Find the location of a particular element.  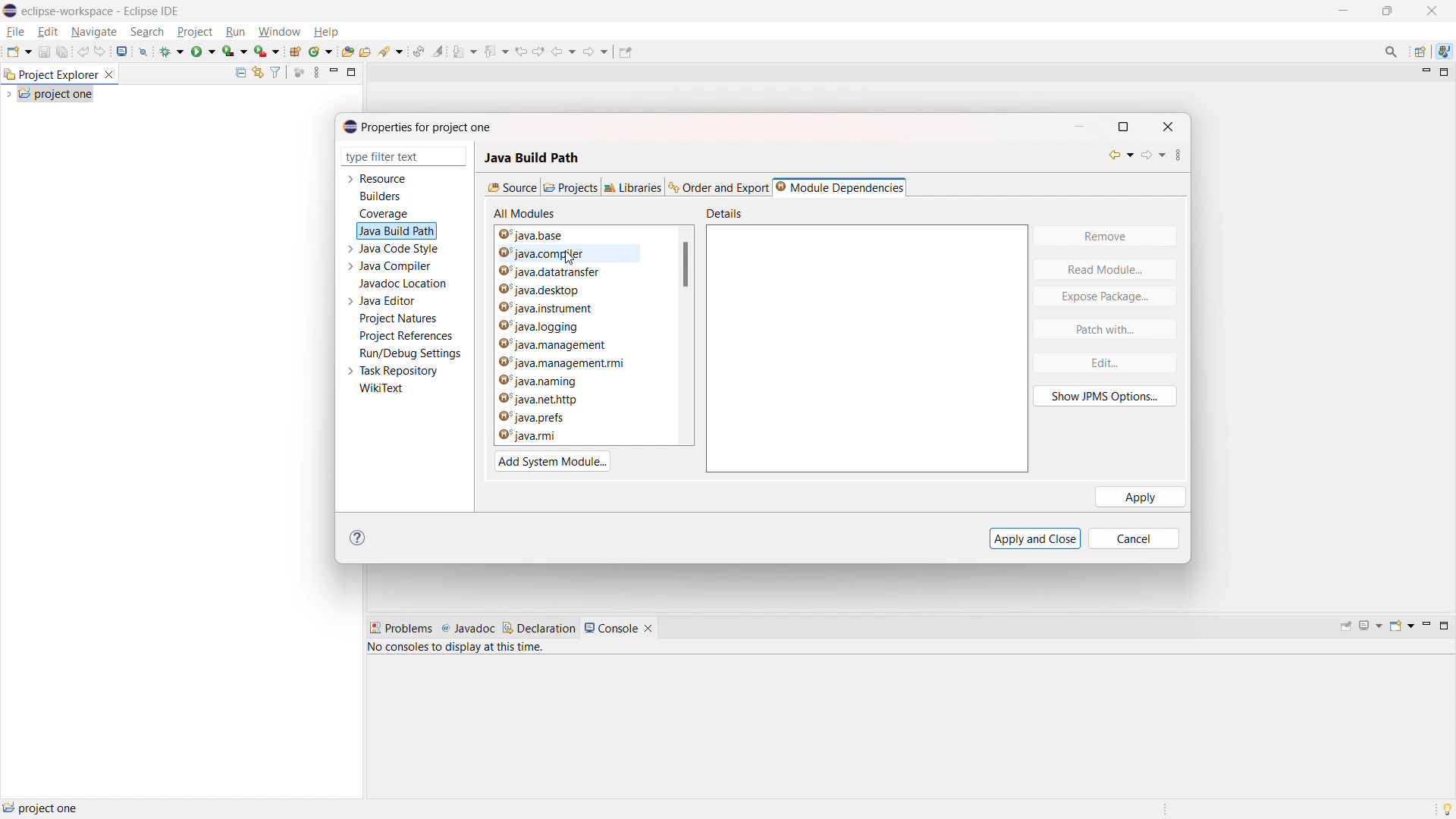

Java build path is located at coordinates (532, 152).